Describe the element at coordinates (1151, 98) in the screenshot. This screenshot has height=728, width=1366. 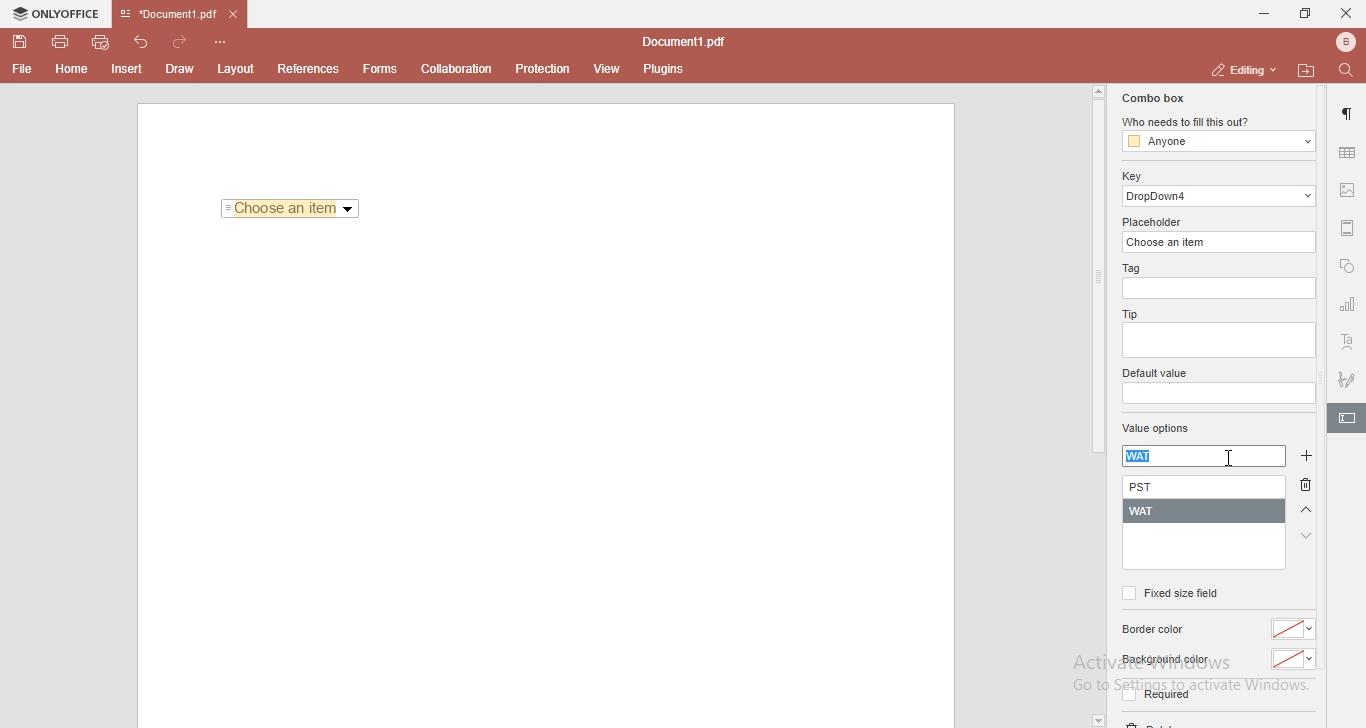
I see `combo box` at that location.